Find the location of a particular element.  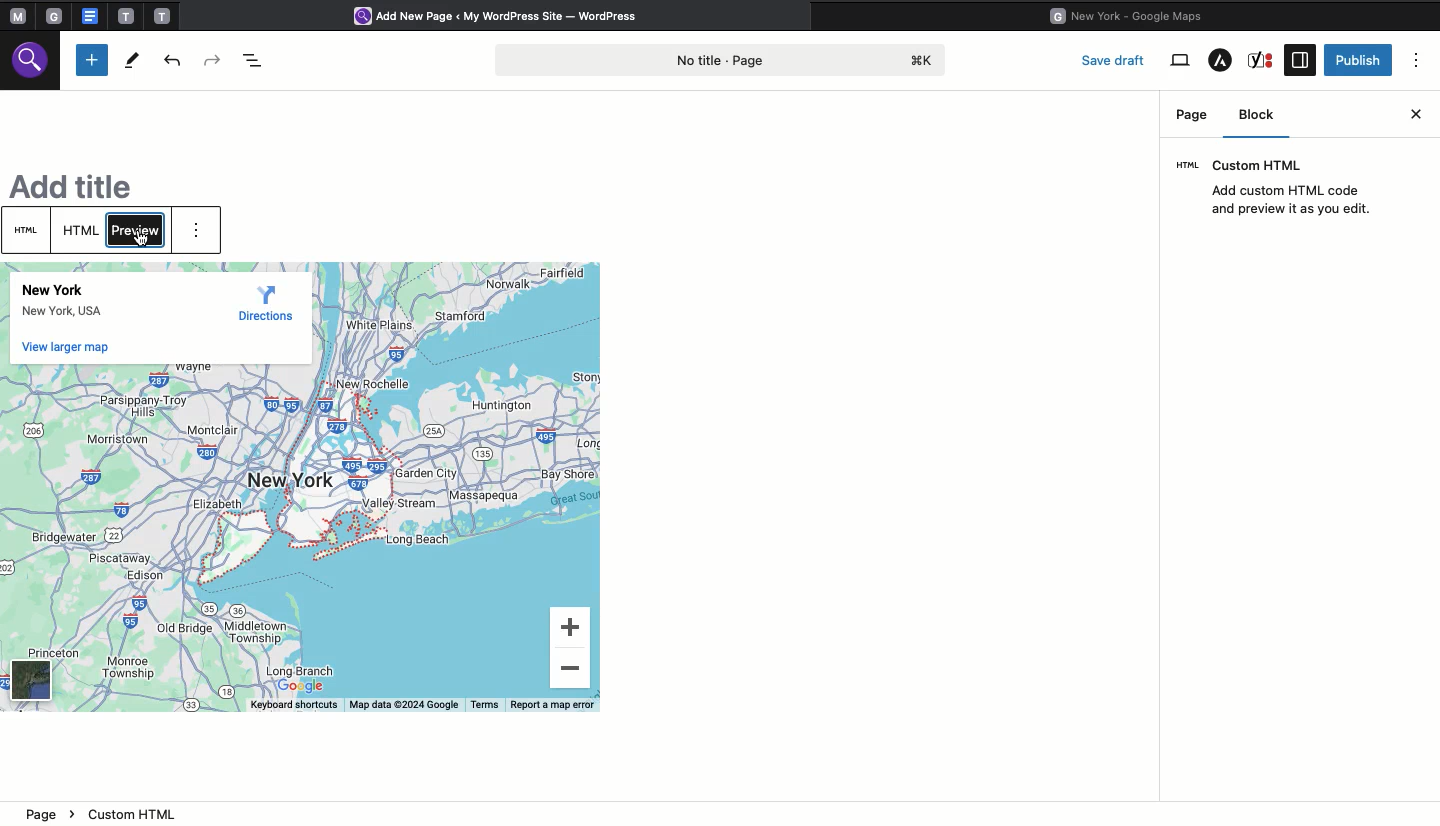

google doc is located at coordinates (89, 15).